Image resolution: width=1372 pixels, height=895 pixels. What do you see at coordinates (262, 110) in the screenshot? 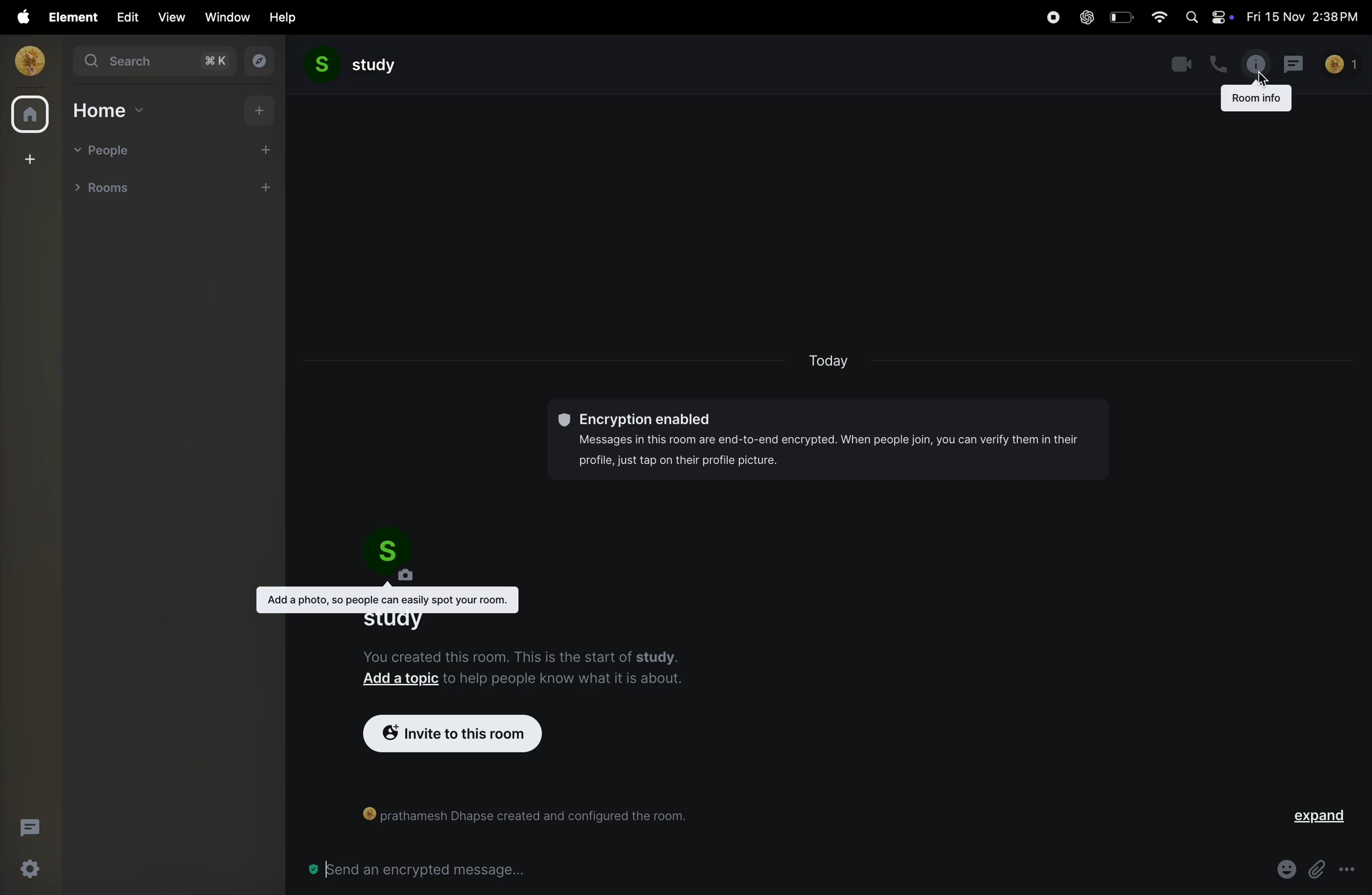
I see `add home` at bounding box center [262, 110].